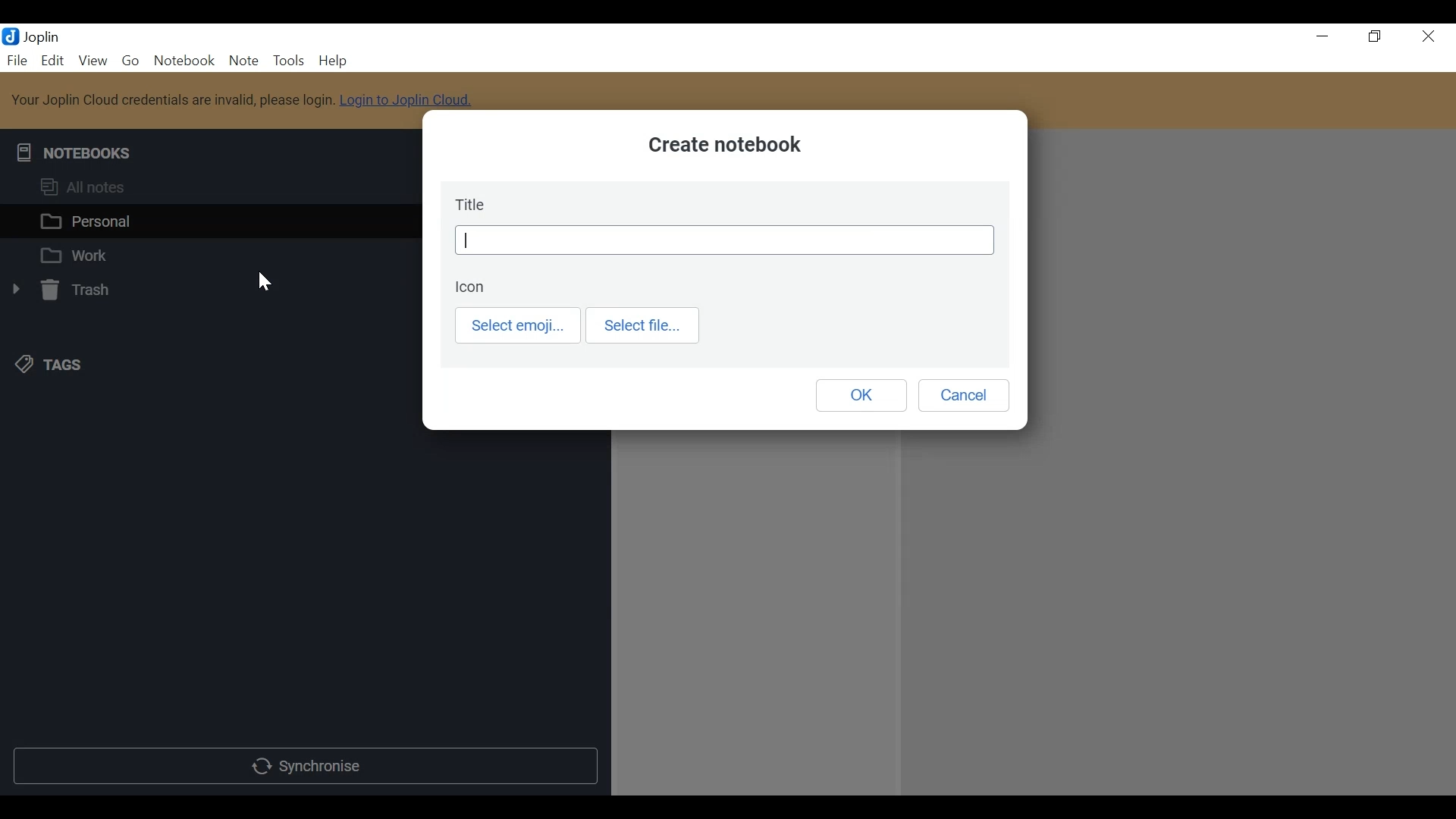  What do you see at coordinates (306, 767) in the screenshot?
I see `Synchronise` at bounding box center [306, 767].